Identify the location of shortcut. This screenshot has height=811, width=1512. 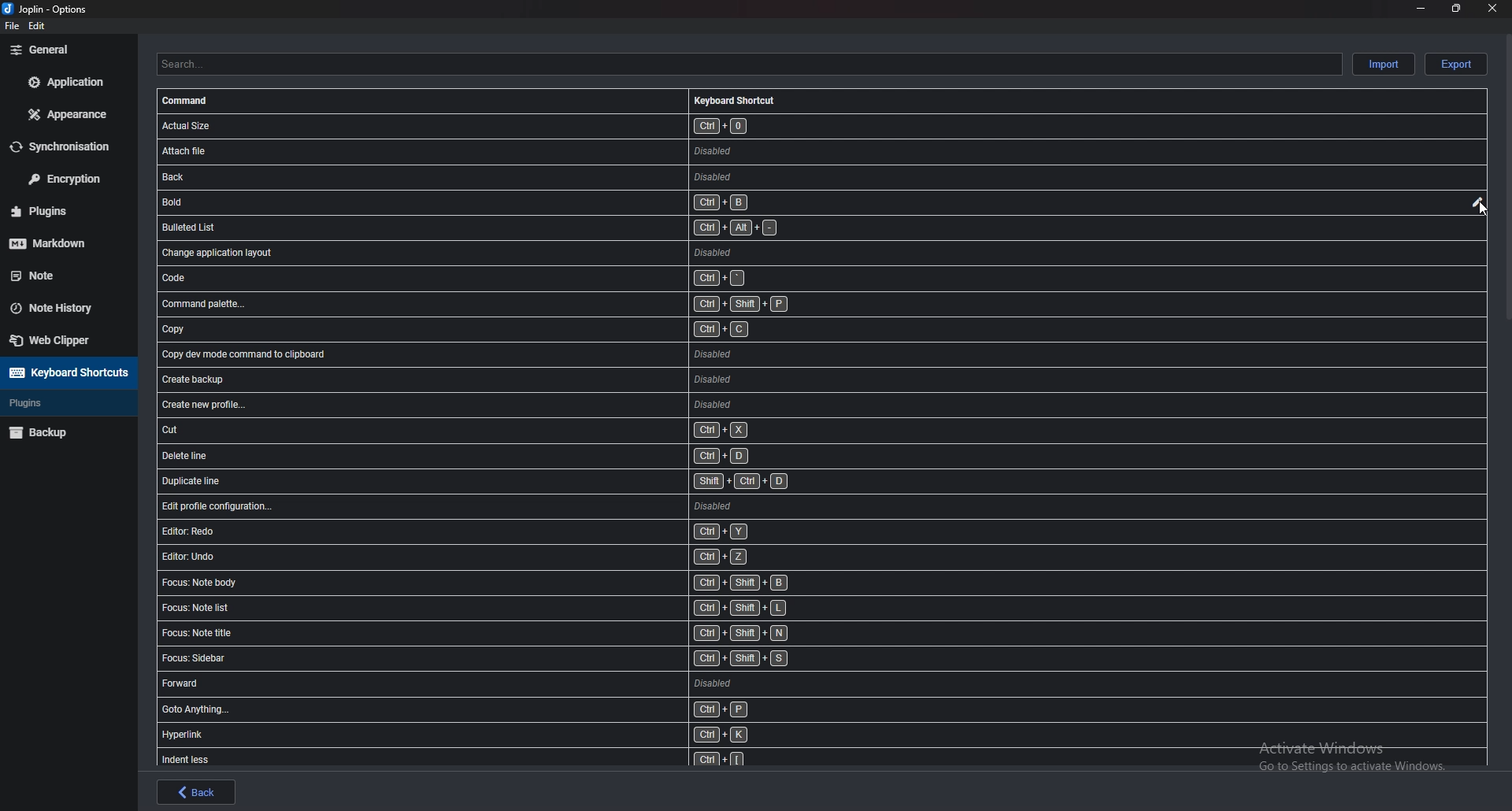
(477, 252).